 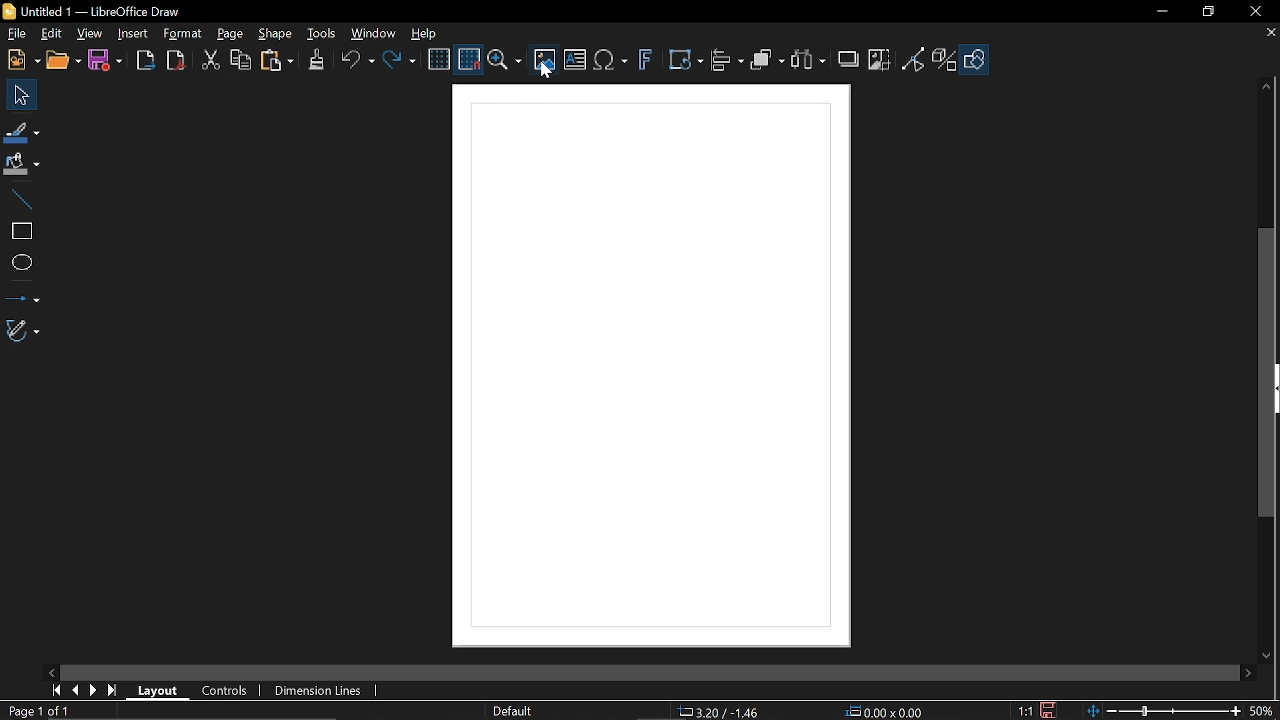 I want to click on Zoom, so click(x=505, y=59).